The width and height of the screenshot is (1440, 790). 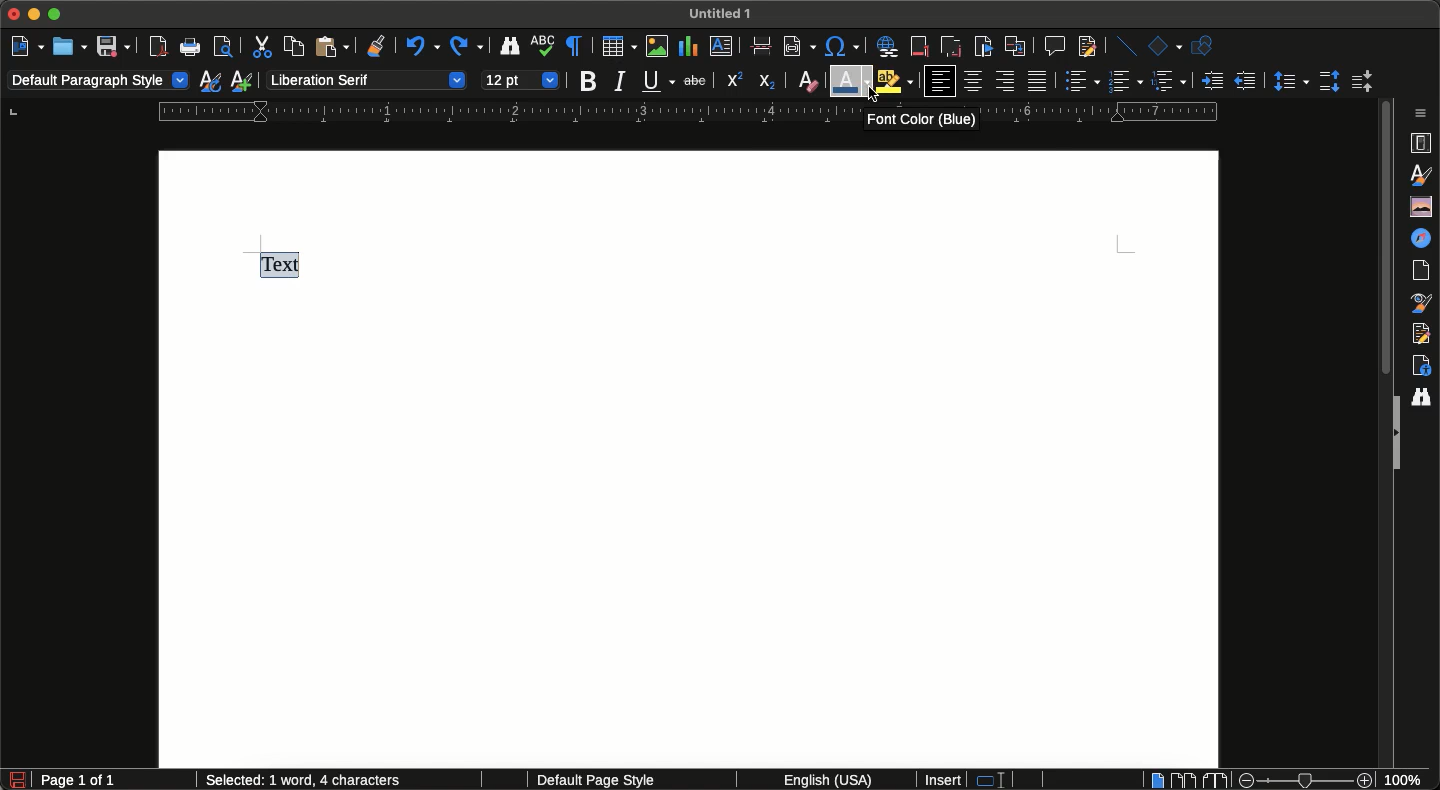 I want to click on Insert image, so click(x=658, y=46).